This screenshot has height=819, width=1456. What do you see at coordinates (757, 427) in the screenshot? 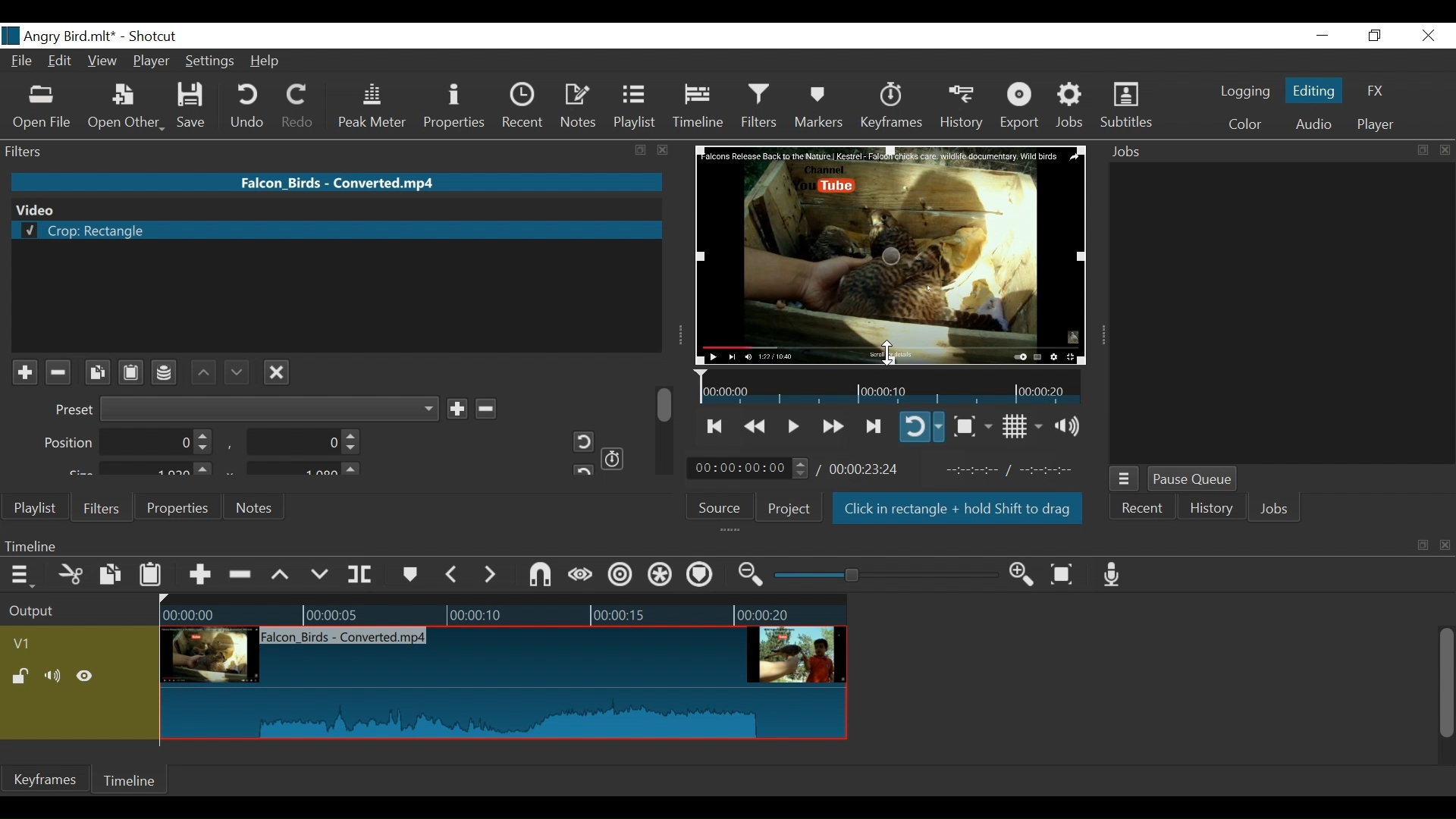
I see `Play backward quickly` at bounding box center [757, 427].